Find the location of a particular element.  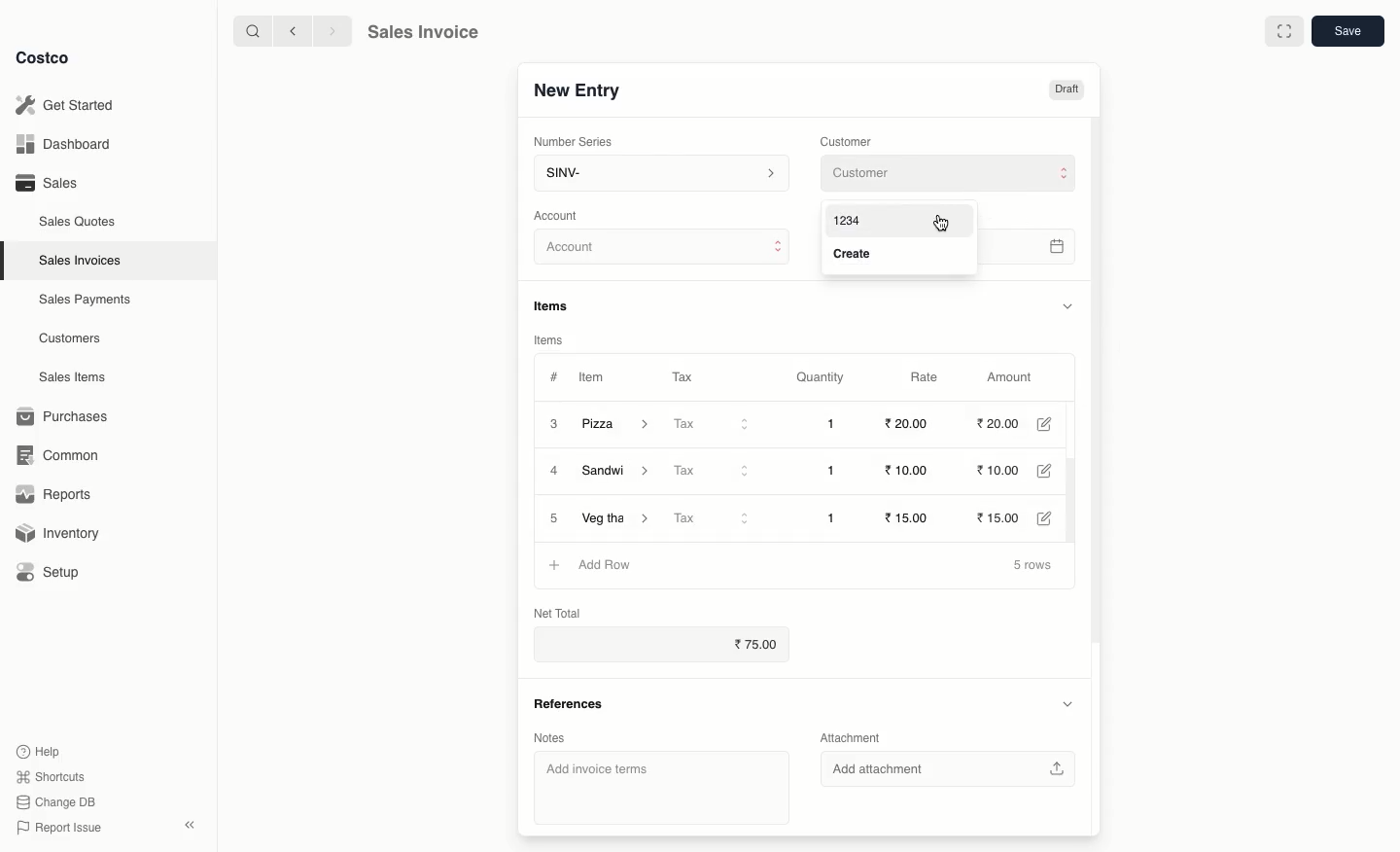

15.00 is located at coordinates (1008, 515).